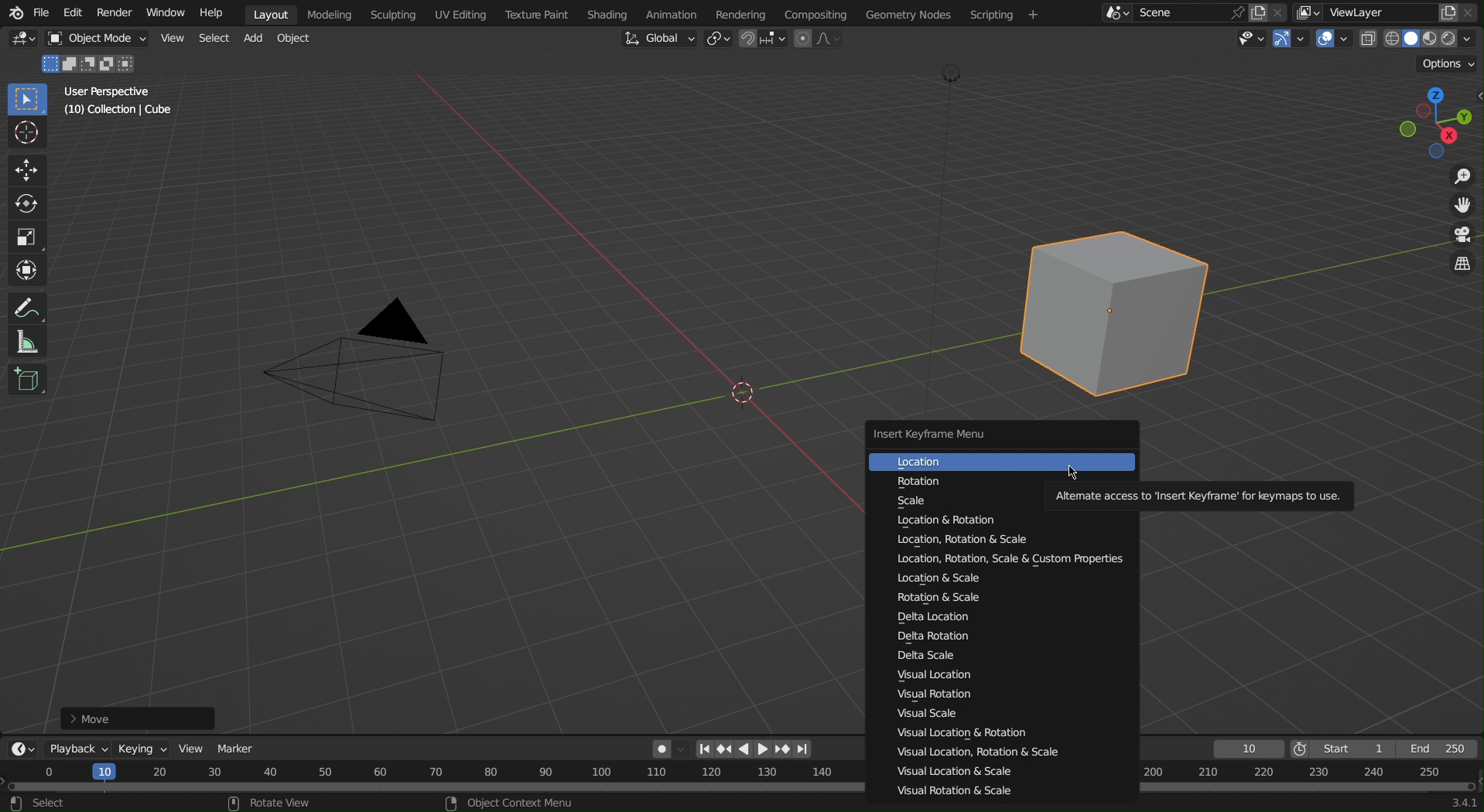 The width and height of the screenshot is (1484, 812). What do you see at coordinates (952, 503) in the screenshot?
I see `Scale` at bounding box center [952, 503].